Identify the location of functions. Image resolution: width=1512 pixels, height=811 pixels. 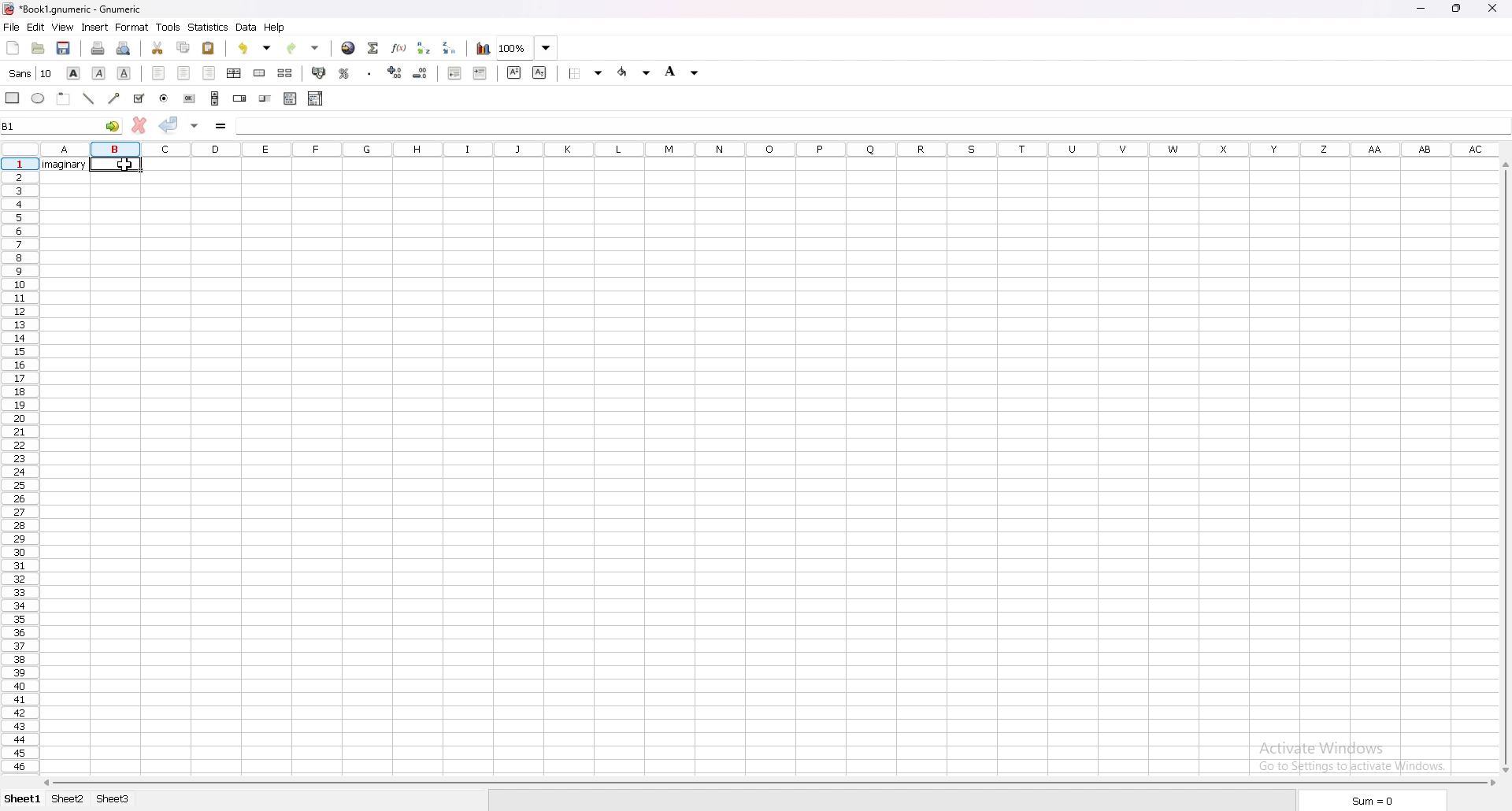
(398, 48).